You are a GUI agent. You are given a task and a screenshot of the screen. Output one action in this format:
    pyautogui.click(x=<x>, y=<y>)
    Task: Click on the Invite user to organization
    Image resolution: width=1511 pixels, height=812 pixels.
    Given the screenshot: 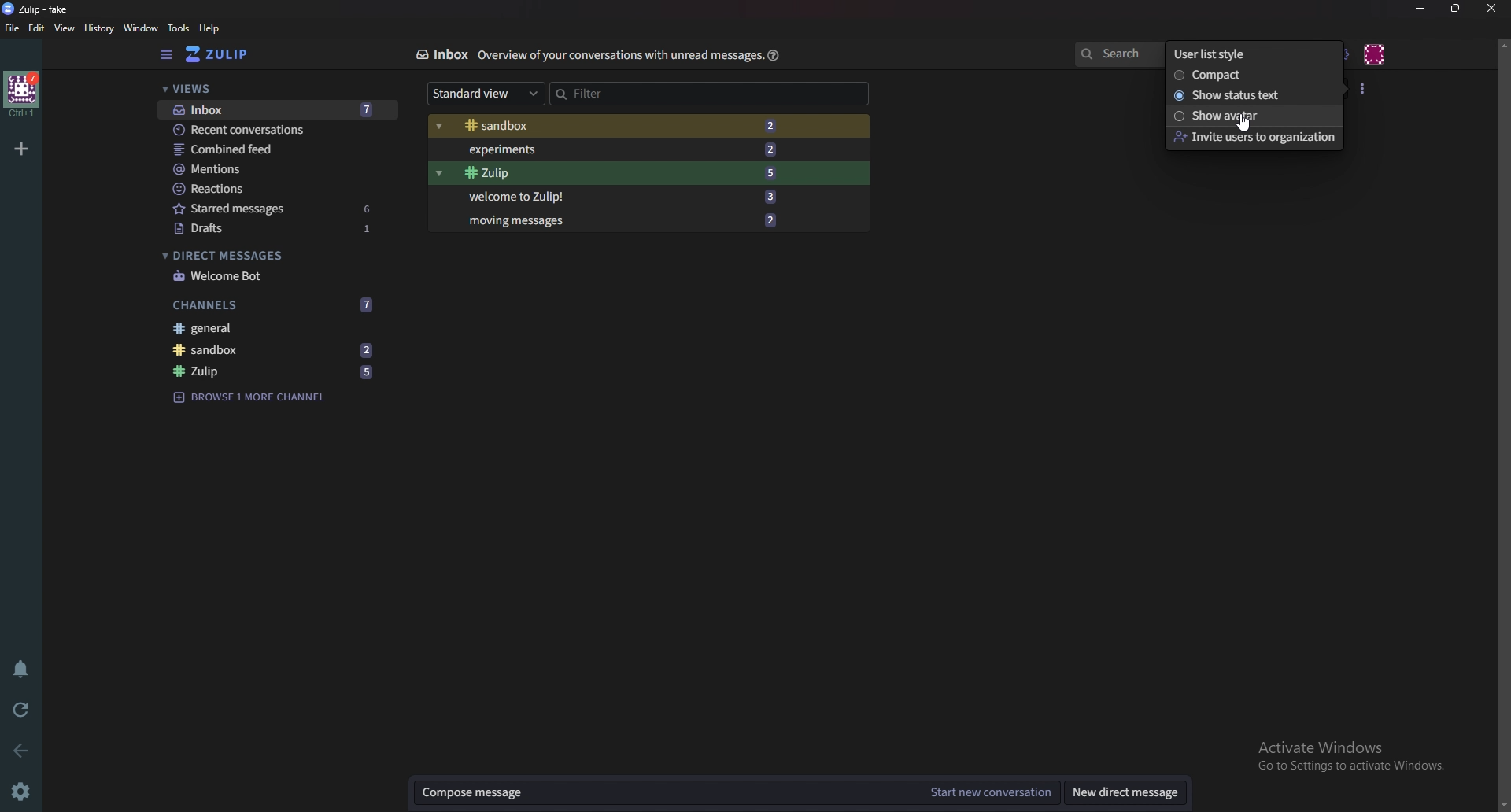 What is the action you would take?
    pyautogui.click(x=1254, y=138)
    